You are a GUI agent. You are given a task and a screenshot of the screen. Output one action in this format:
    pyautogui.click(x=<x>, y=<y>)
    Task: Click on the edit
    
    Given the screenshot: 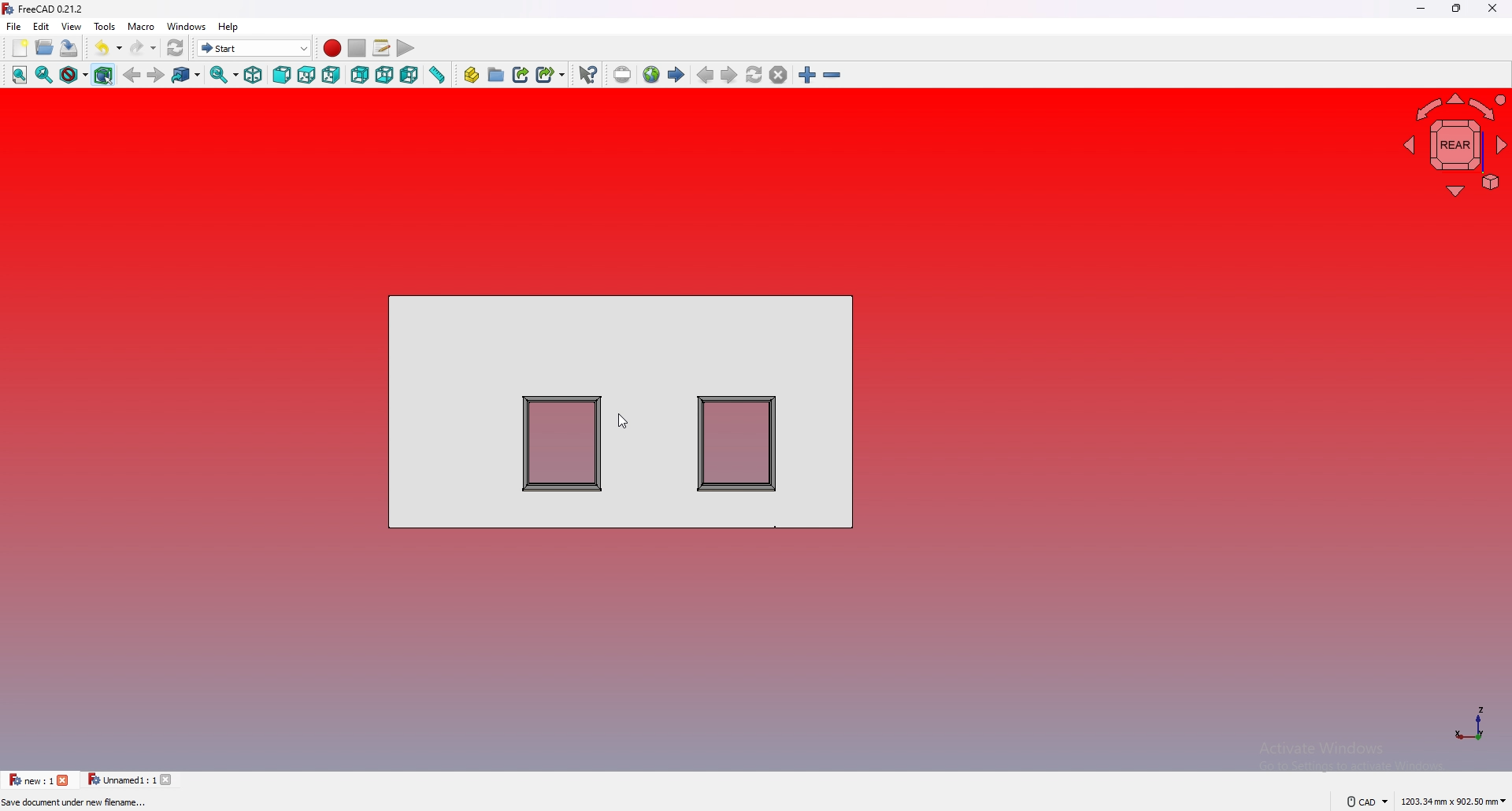 What is the action you would take?
    pyautogui.click(x=41, y=25)
    